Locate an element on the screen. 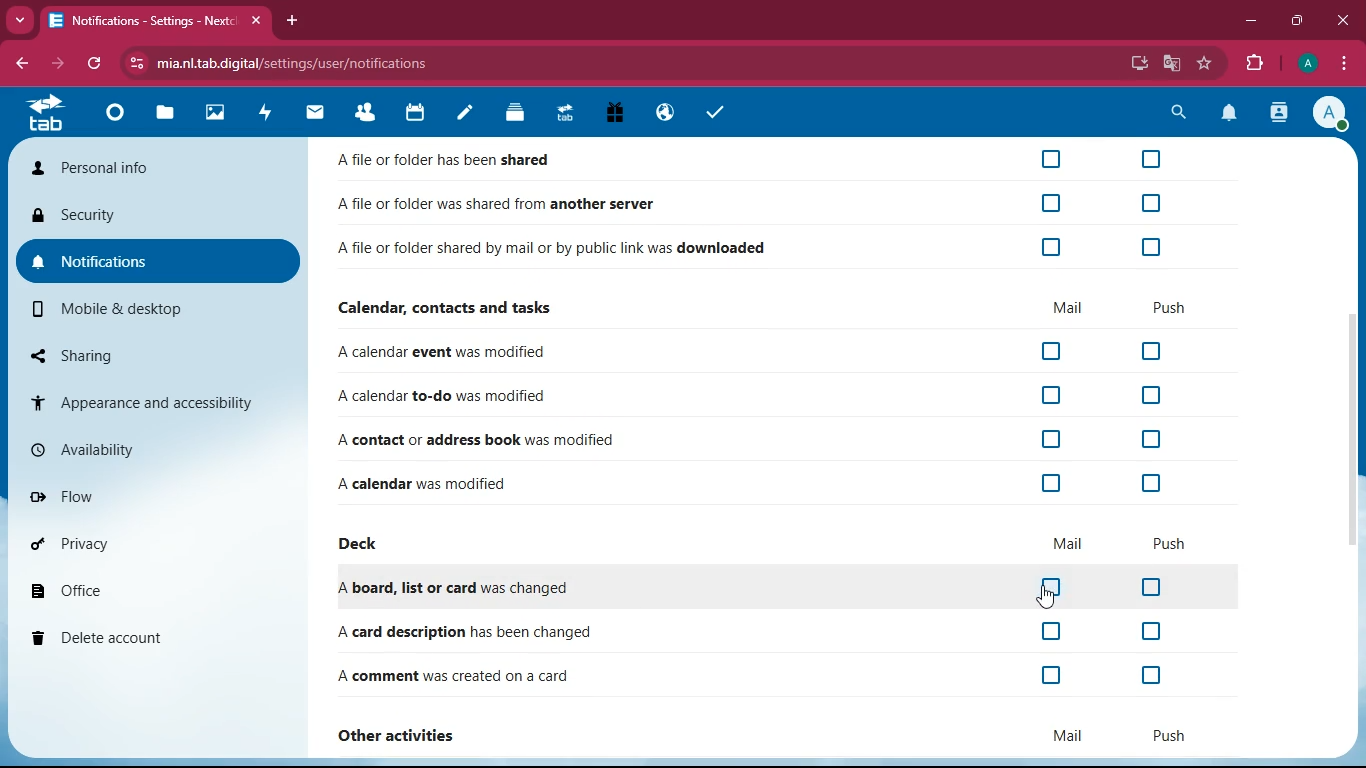  sharing is located at coordinates (159, 354).